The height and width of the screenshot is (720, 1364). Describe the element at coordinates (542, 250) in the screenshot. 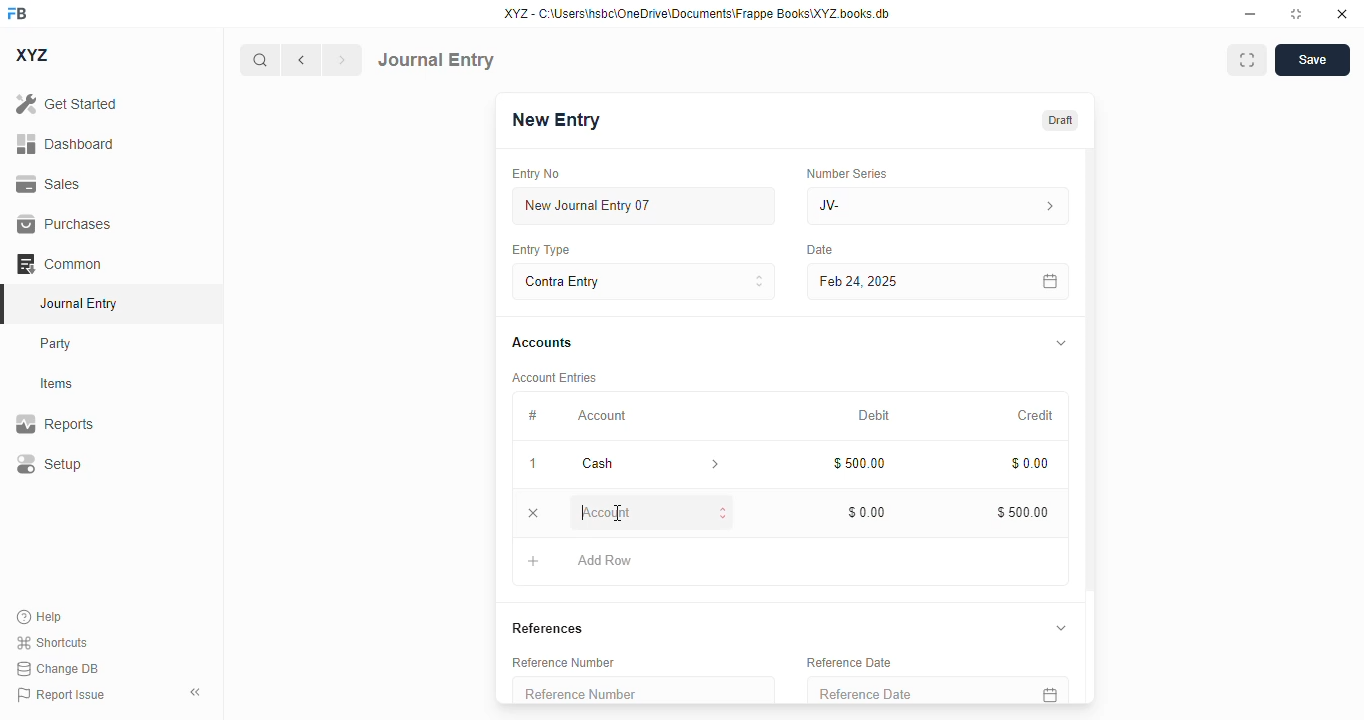

I see `entry type` at that location.